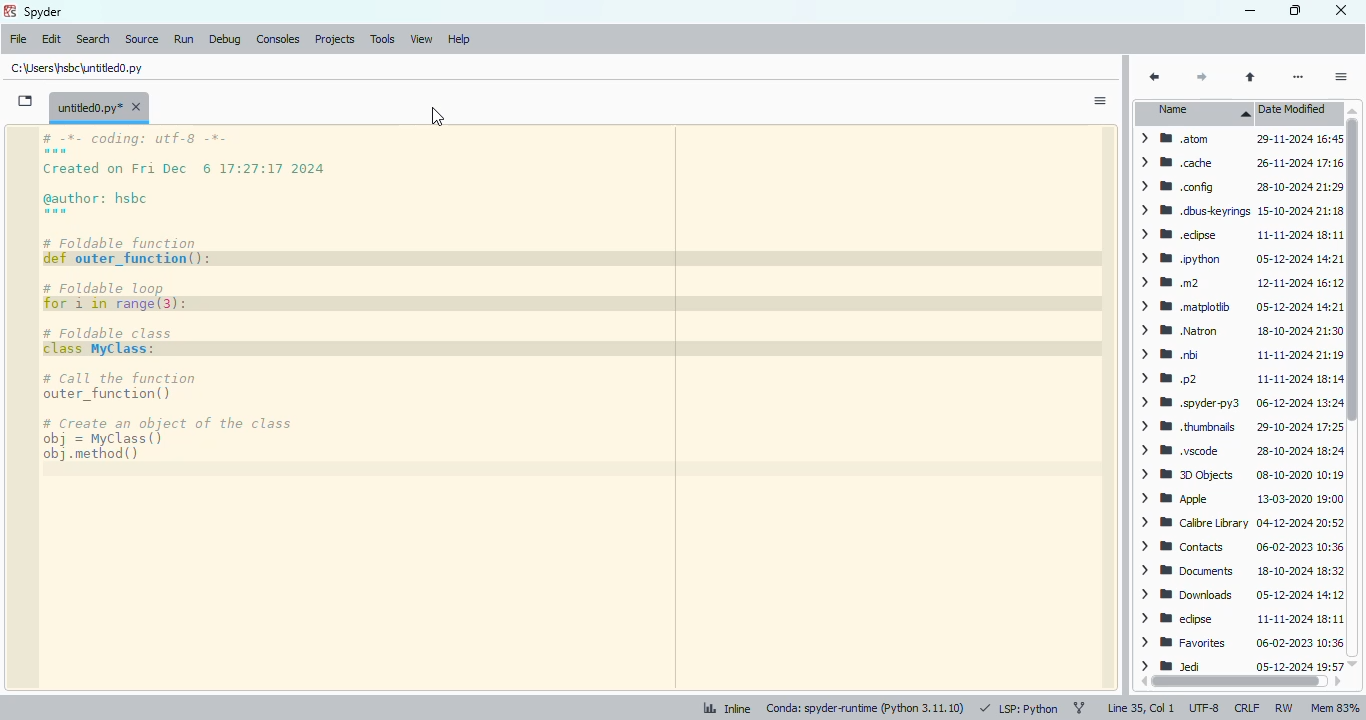 The image size is (1366, 720). Describe the element at coordinates (245, 299) in the screenshot. I see `code ` at that location.